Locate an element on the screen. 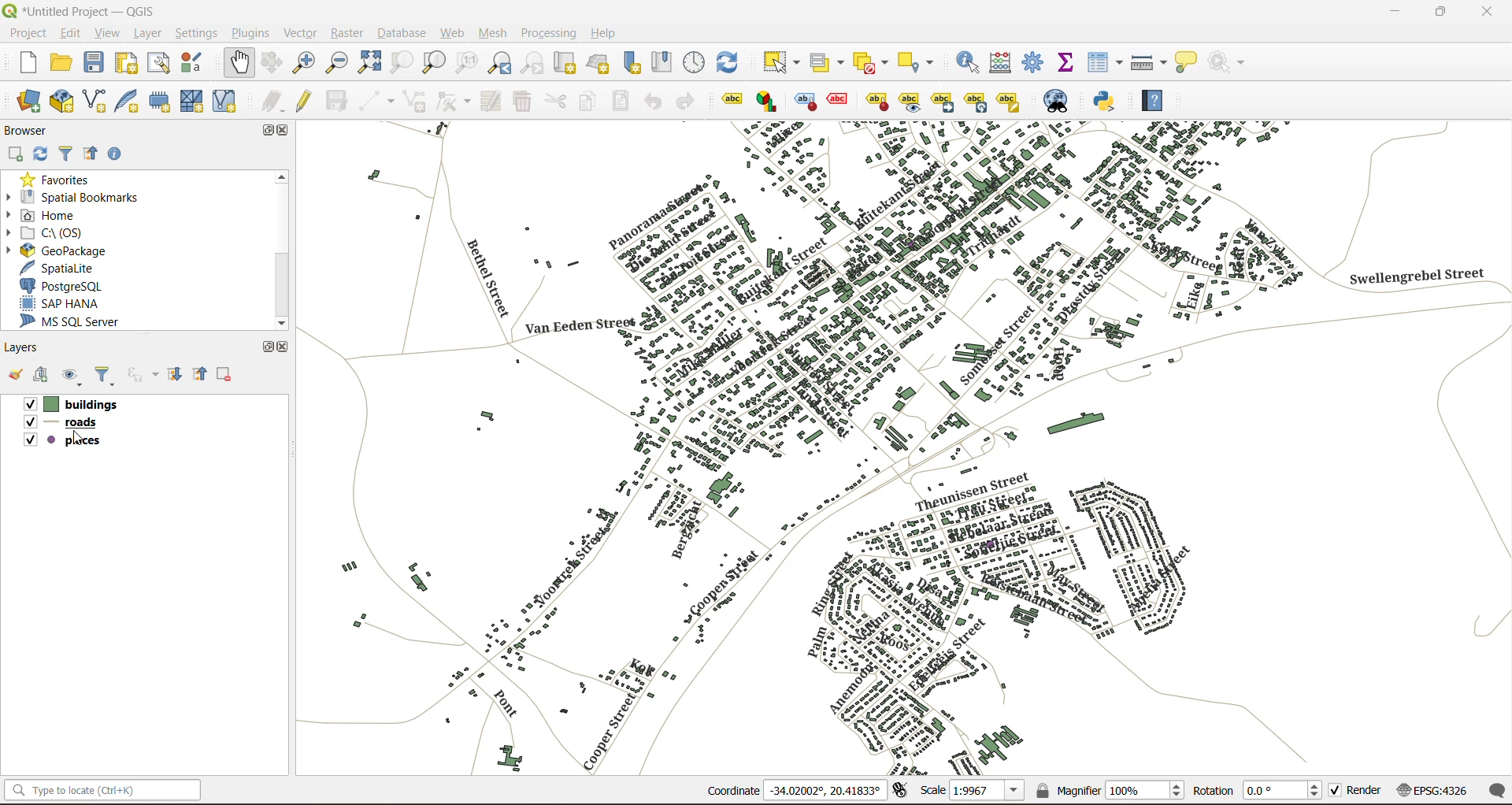 The height and width of the screenshot is (805, 1512). style manager is located at coordinates (198, 65).